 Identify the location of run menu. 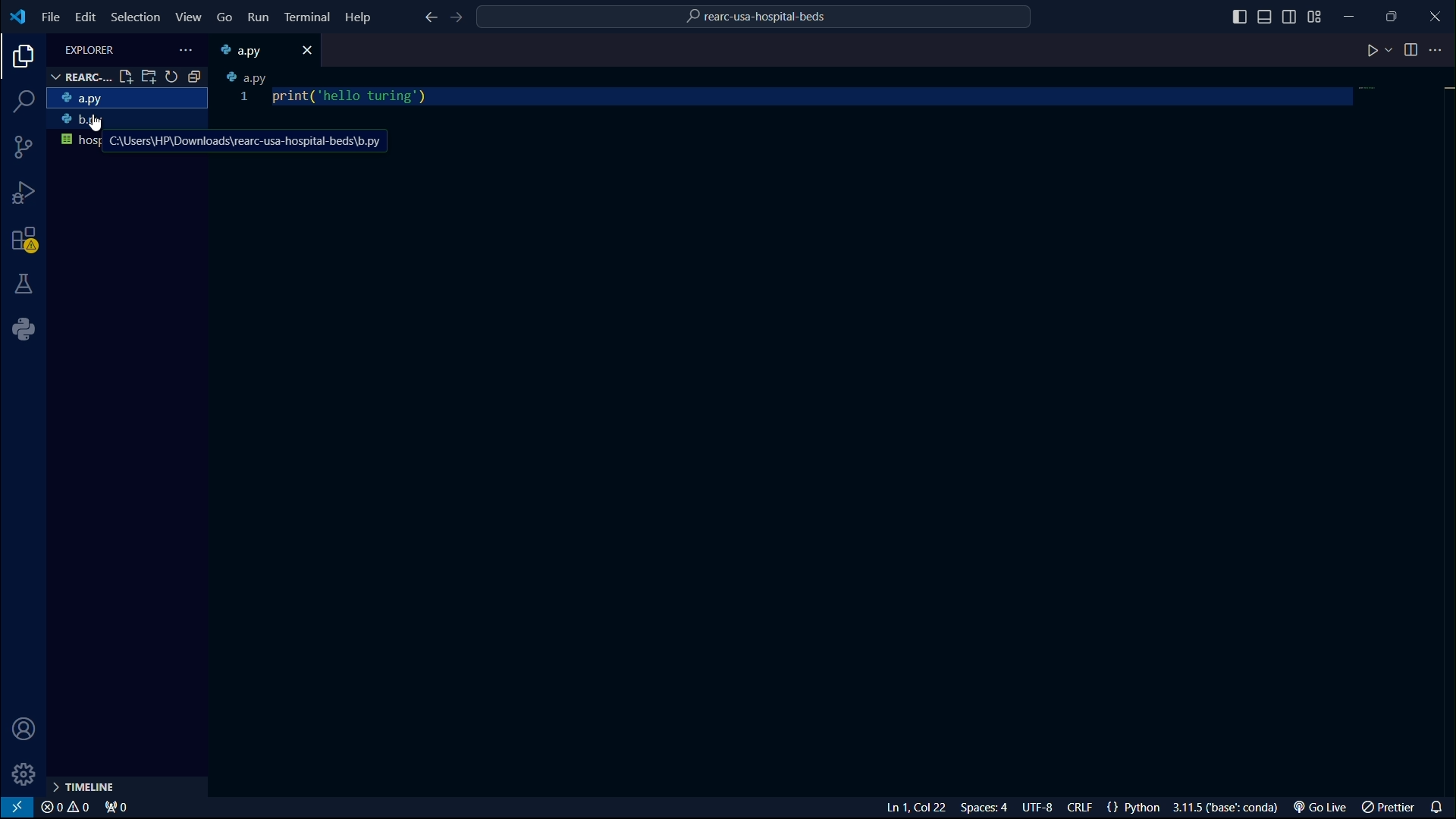
(259, 17).